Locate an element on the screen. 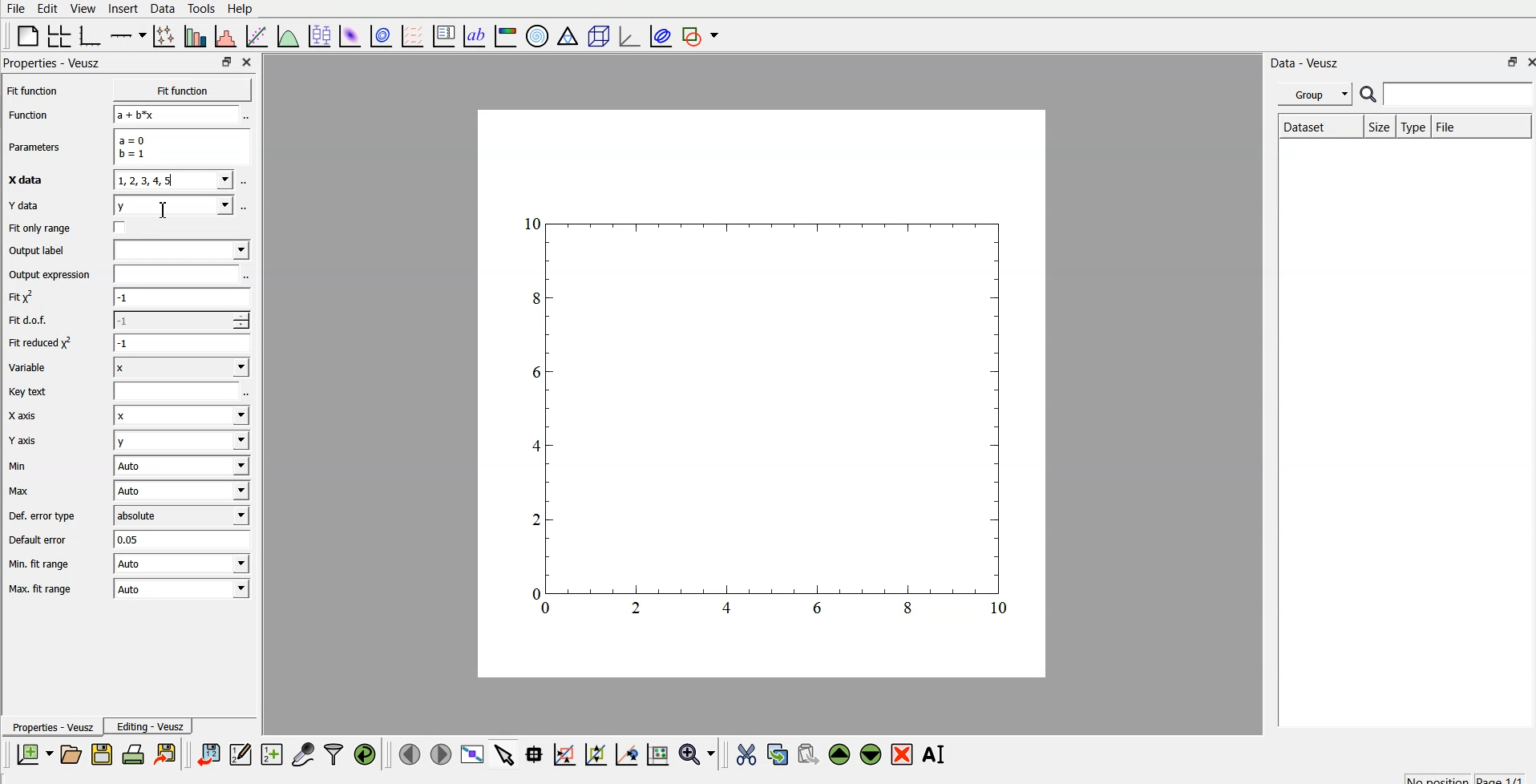 The height and width of the screenshot is (784, 1536). move down the selected widget is located at coordinates (871, 754).